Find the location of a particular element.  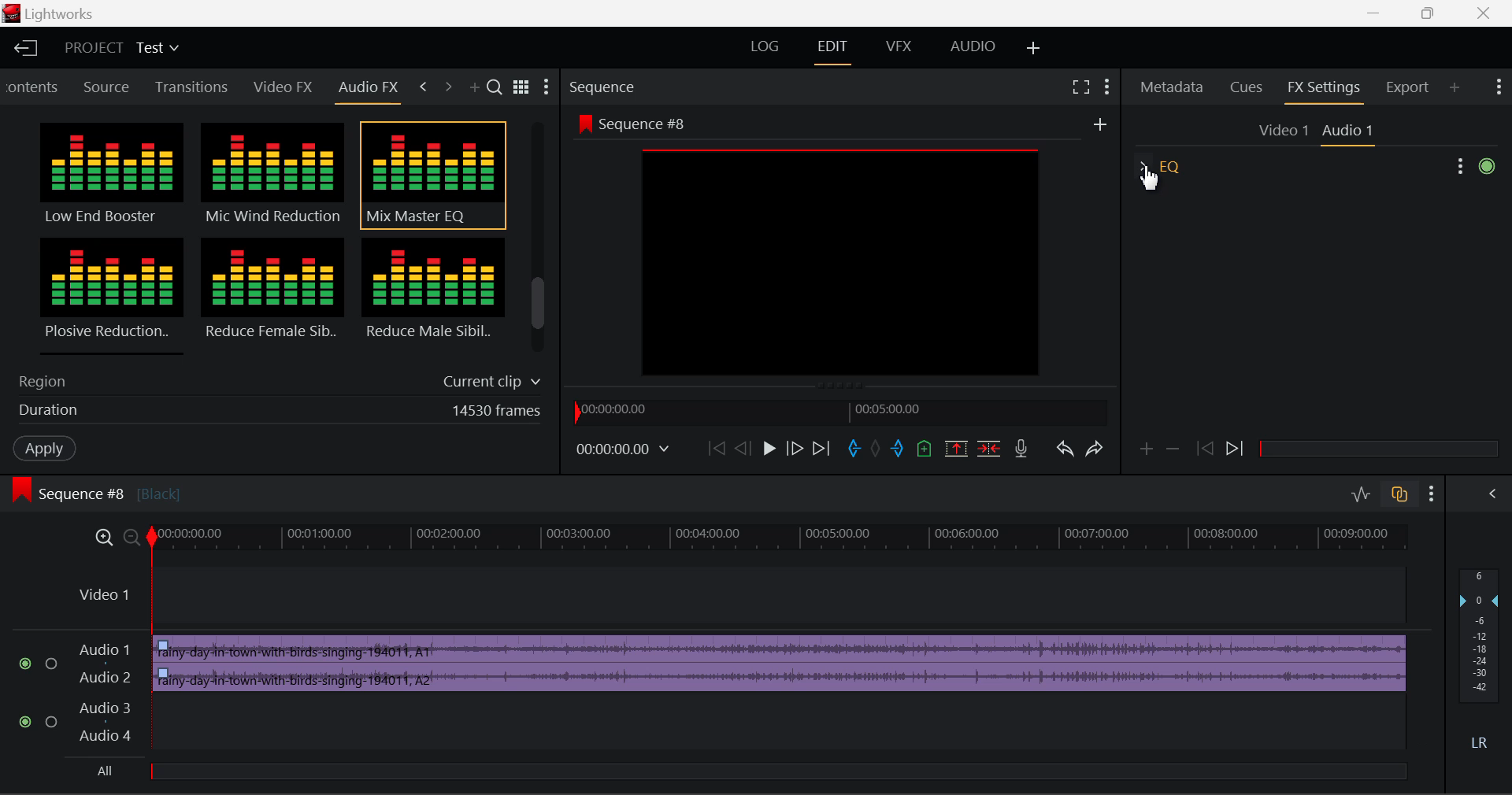

Add keyframe is located at coordinates (1143, 452).